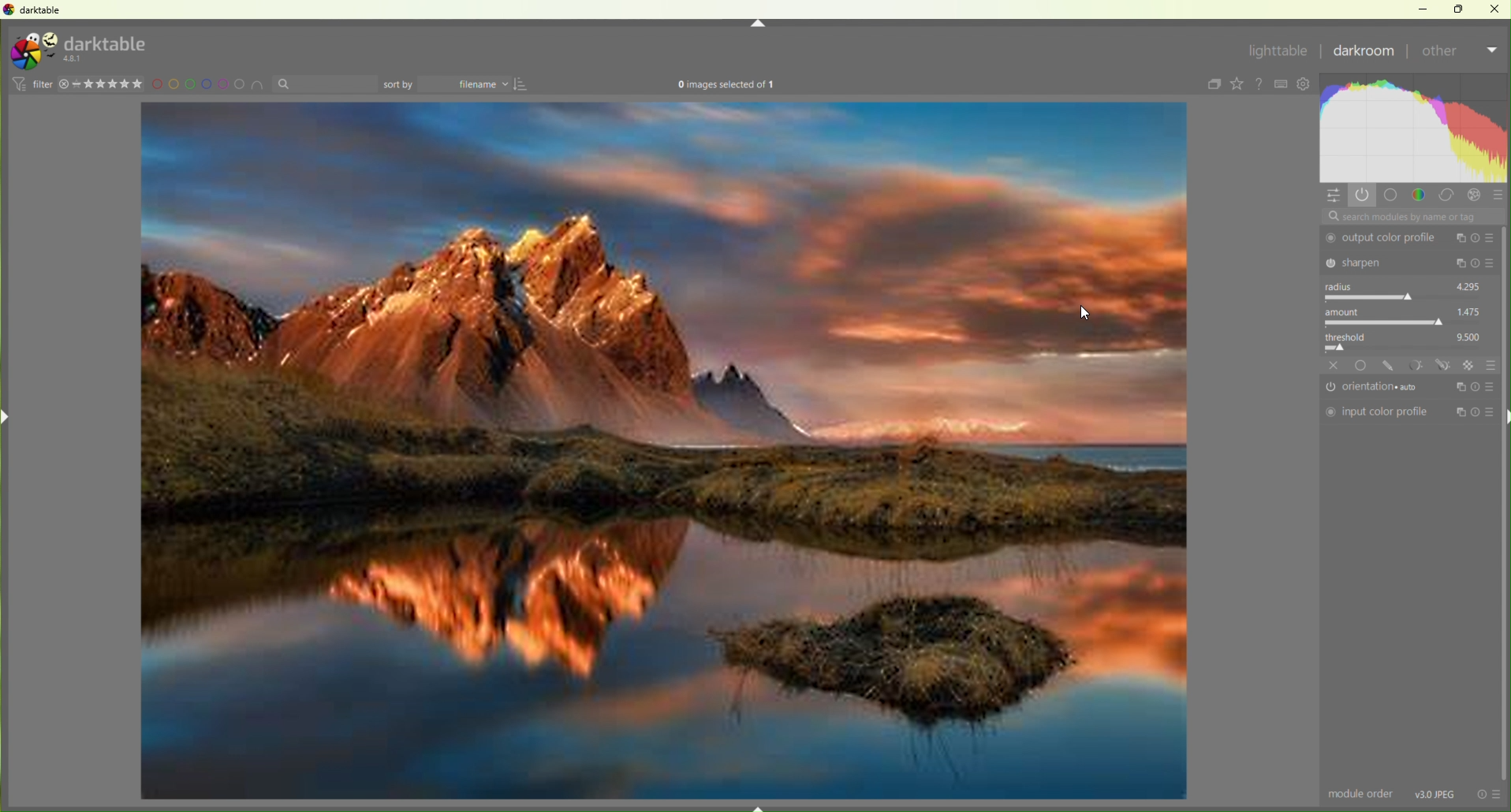 This screenshot has height=812, width=1511. I want to click on amount, so click(1347, 311).